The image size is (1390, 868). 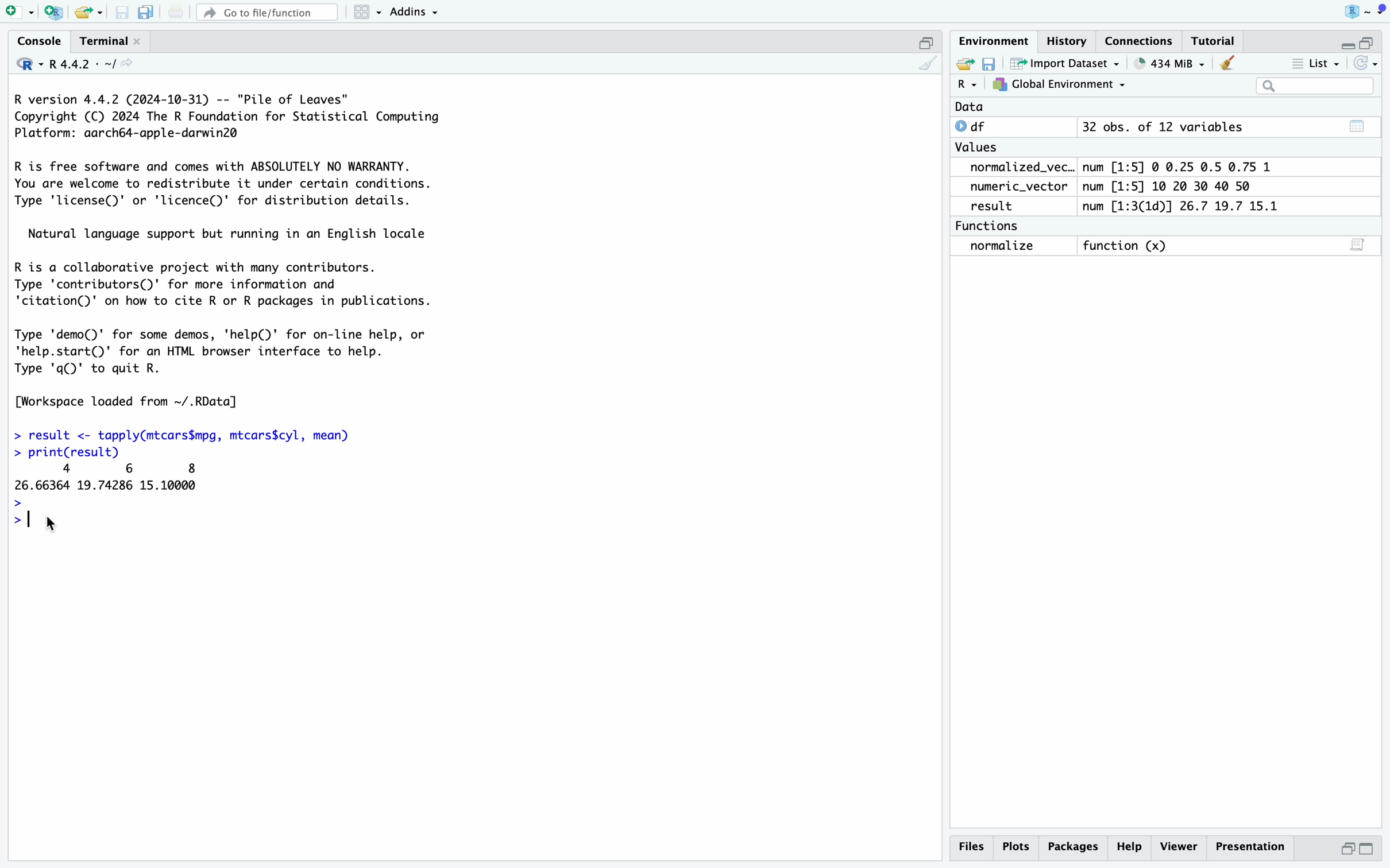 I want to click on R, so click(x=970, y=84).